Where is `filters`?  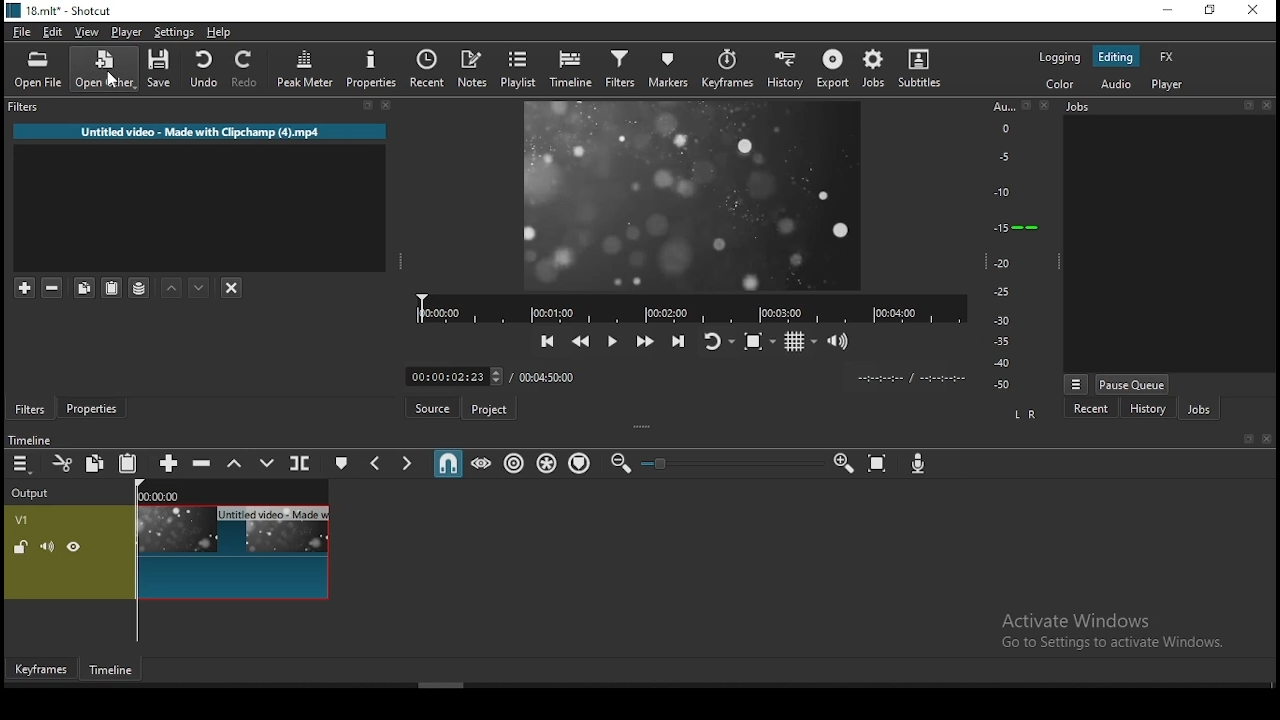
filters is located at coordinates (198, 111).